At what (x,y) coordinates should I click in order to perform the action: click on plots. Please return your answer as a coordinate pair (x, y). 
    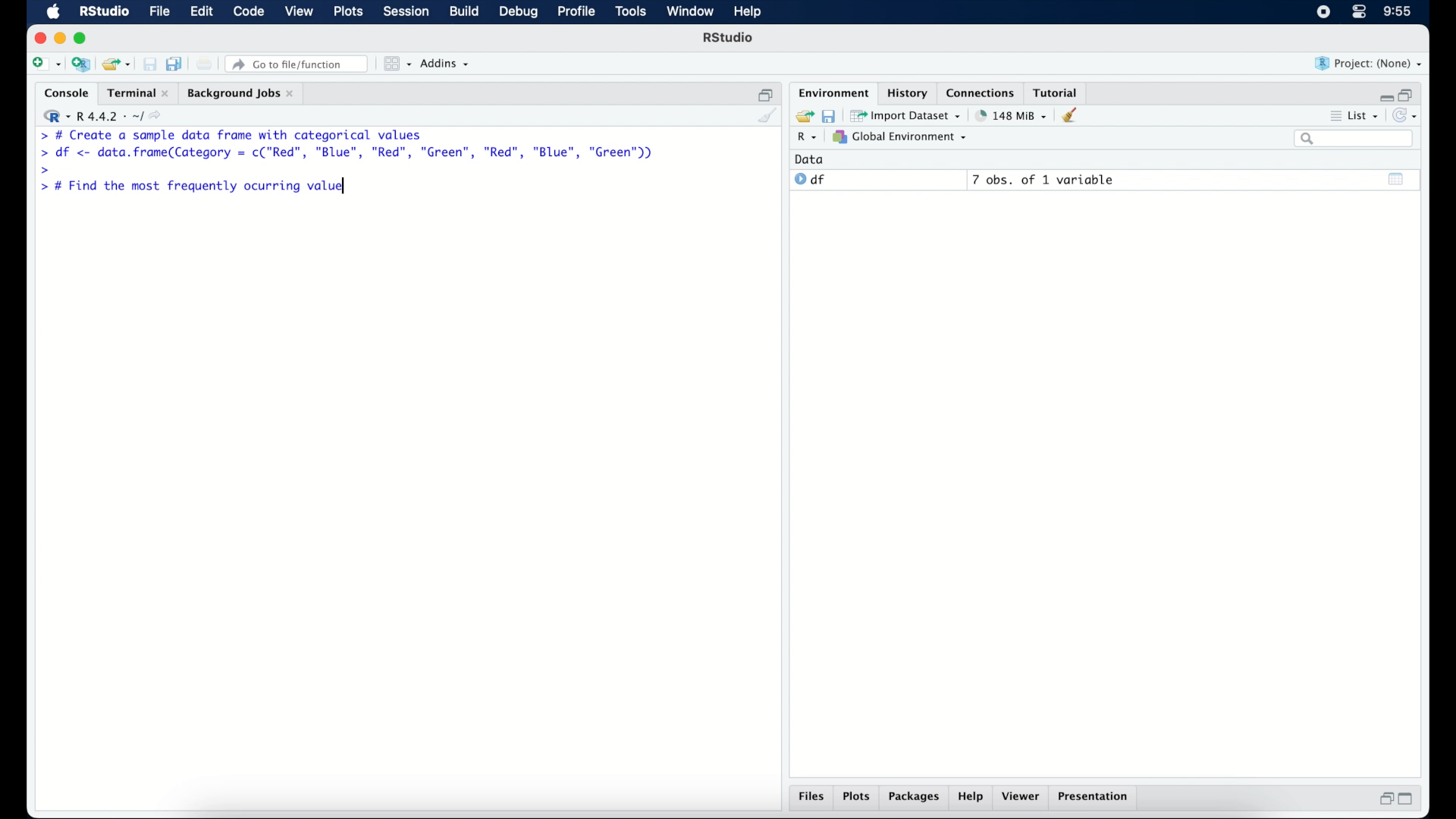
    Looking at the image, I should click on (857, 798).